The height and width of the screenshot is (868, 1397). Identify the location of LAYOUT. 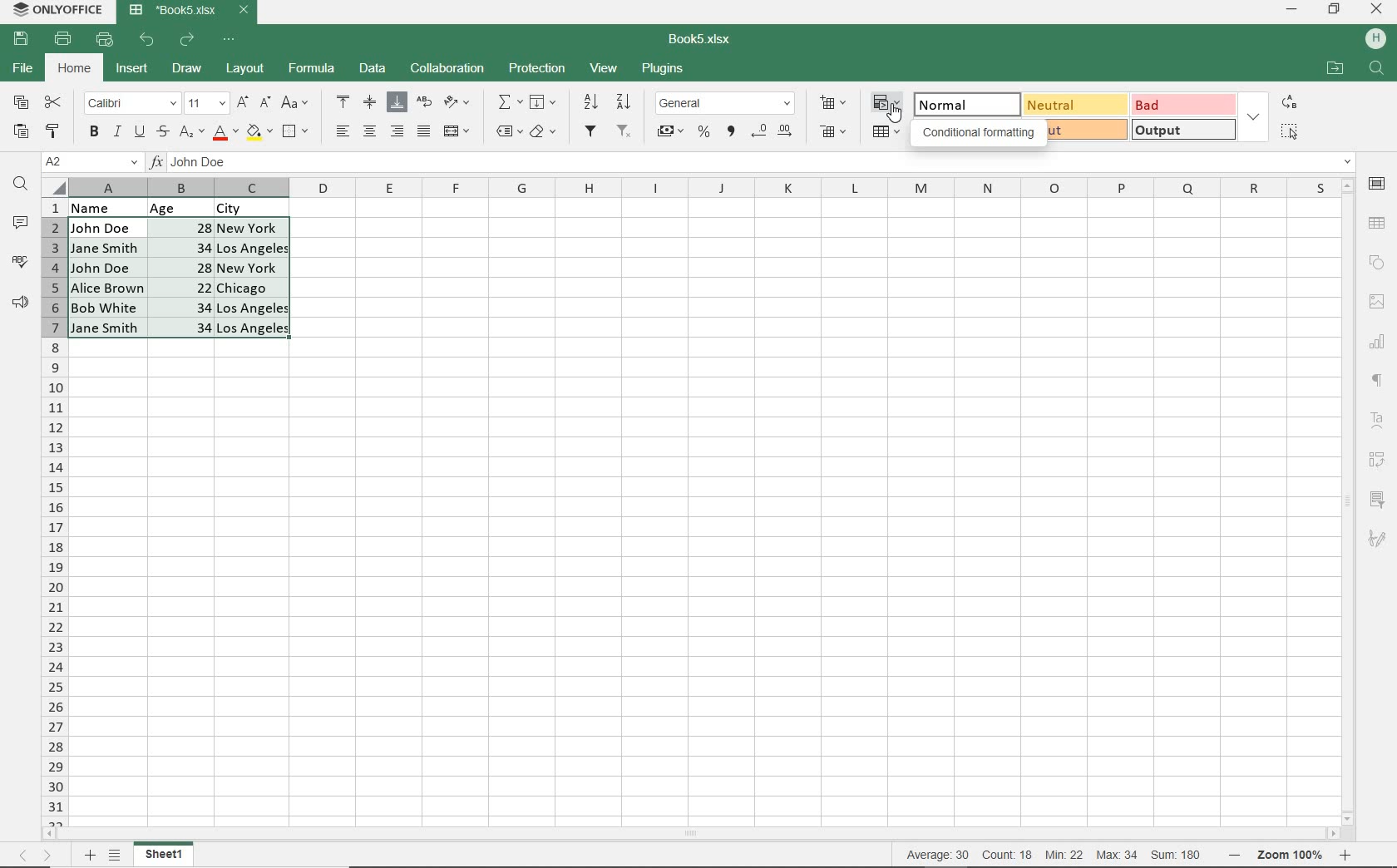
(243, 70).